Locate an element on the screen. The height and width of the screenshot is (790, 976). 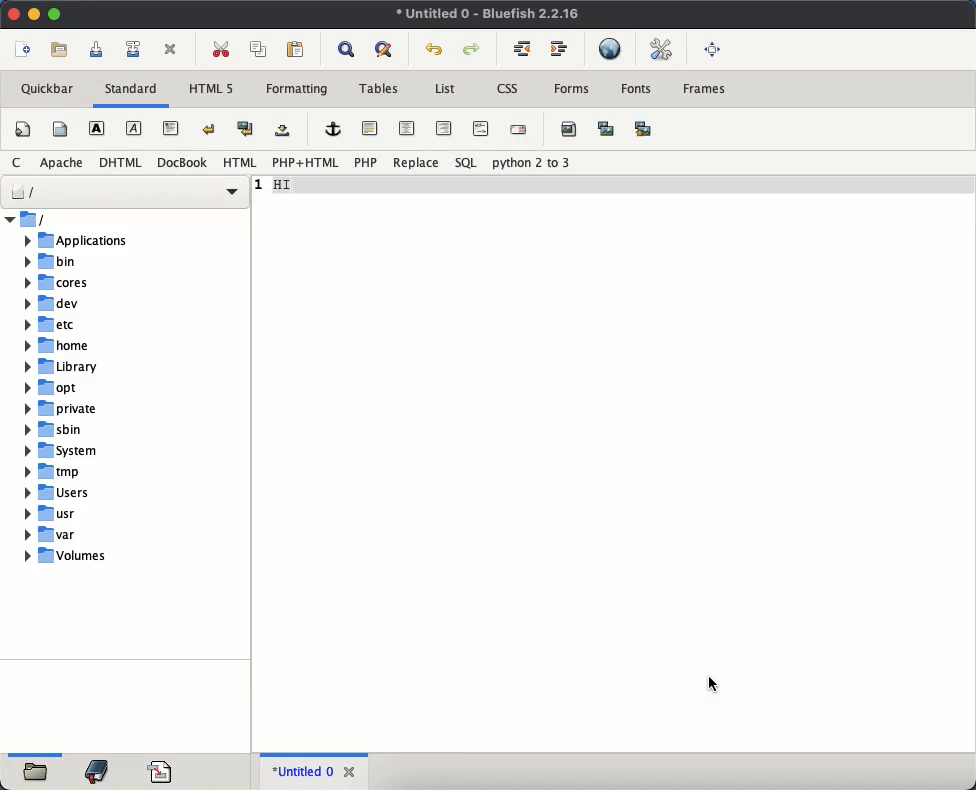
formatting is located at coordinates (297, 89).